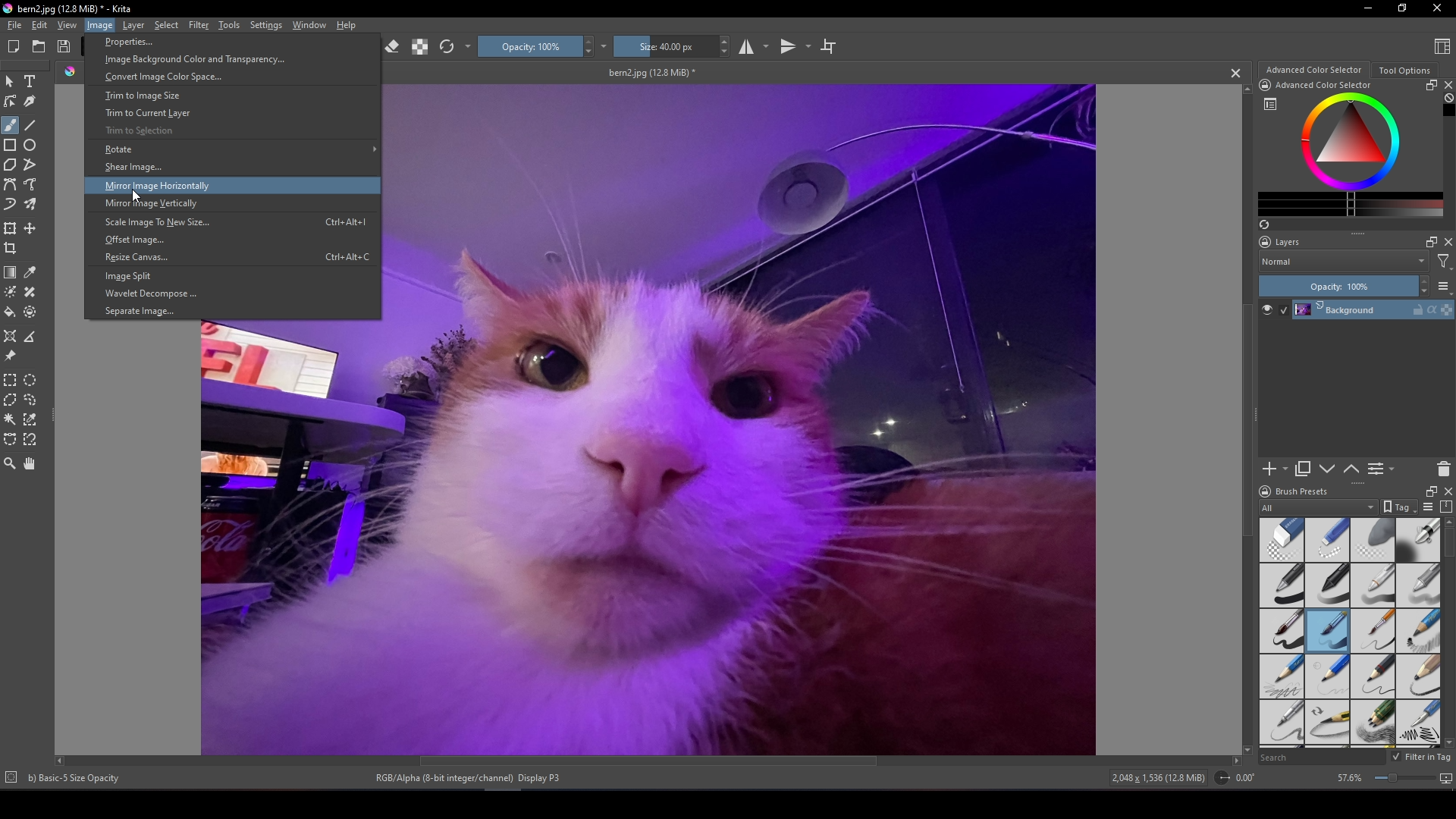 This screenshot has width=1456, height=819. Describe the element at coordinates (1401, 508) in the screenshot. I see `Tag` at that location.